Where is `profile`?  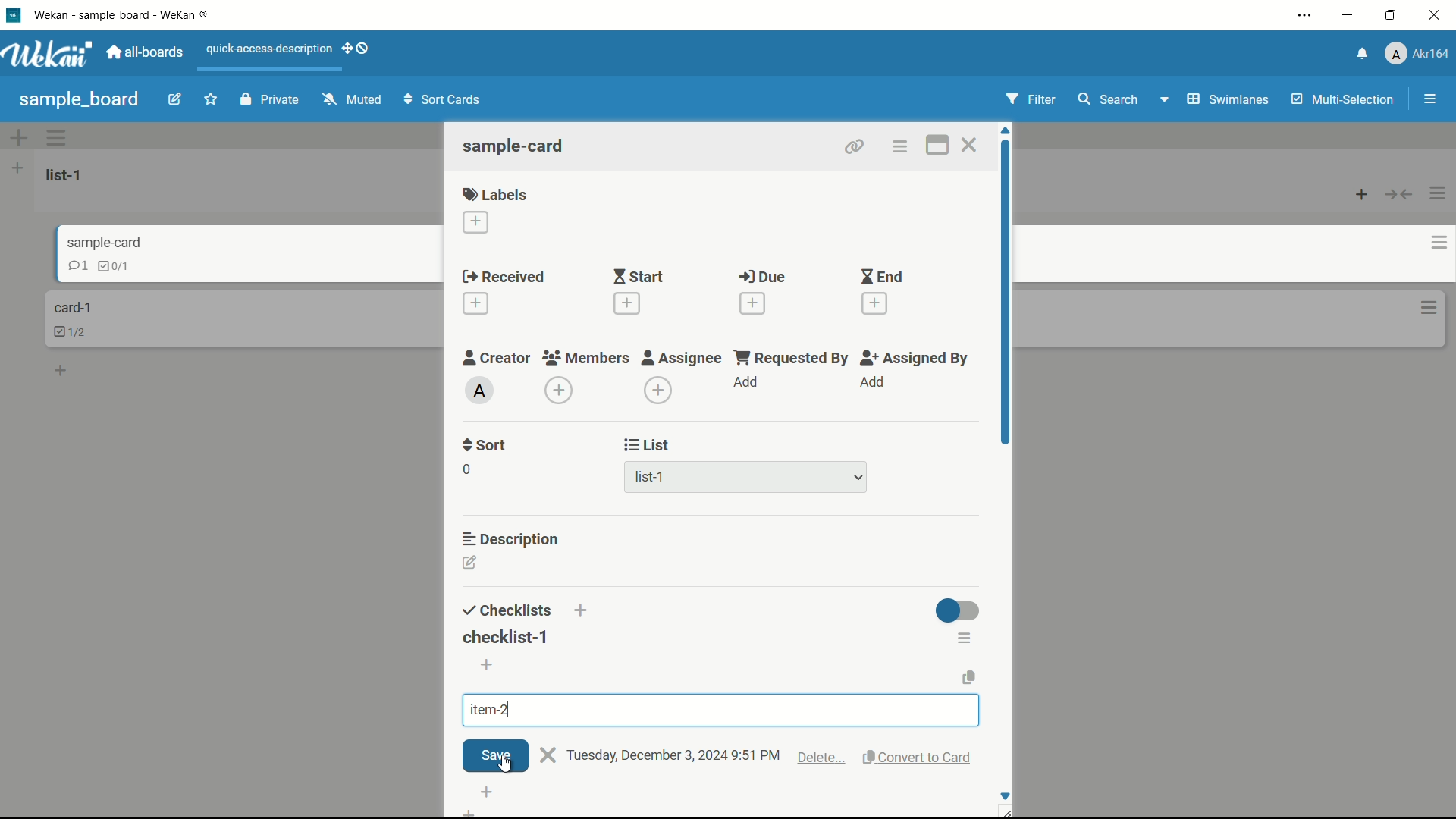
profile is located at coordinates (1416, 54).